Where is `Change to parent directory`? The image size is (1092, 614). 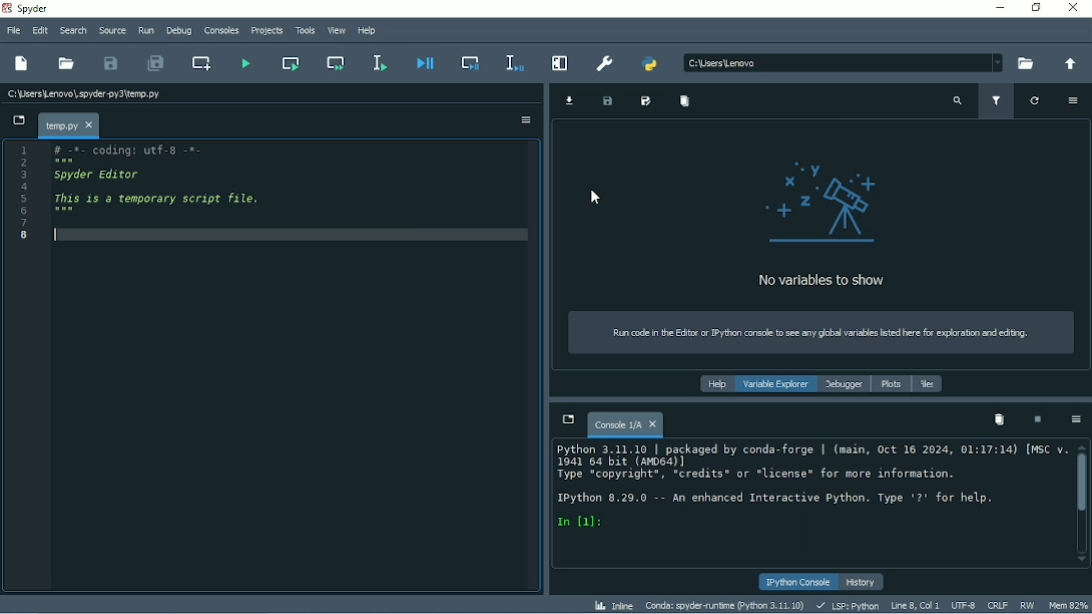 Change to parent directory is located at coordinates (1066, 65).